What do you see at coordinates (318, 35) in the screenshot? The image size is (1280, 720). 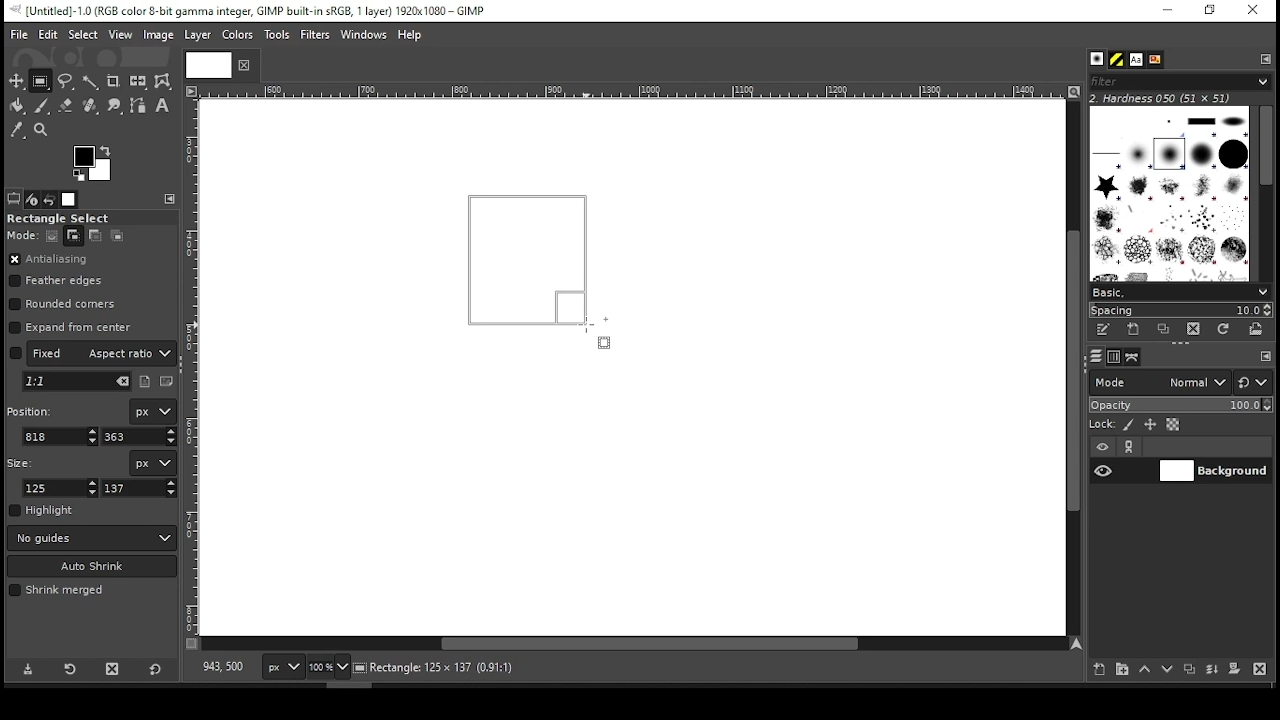 I see `filters` at bounding box center [318, 35].